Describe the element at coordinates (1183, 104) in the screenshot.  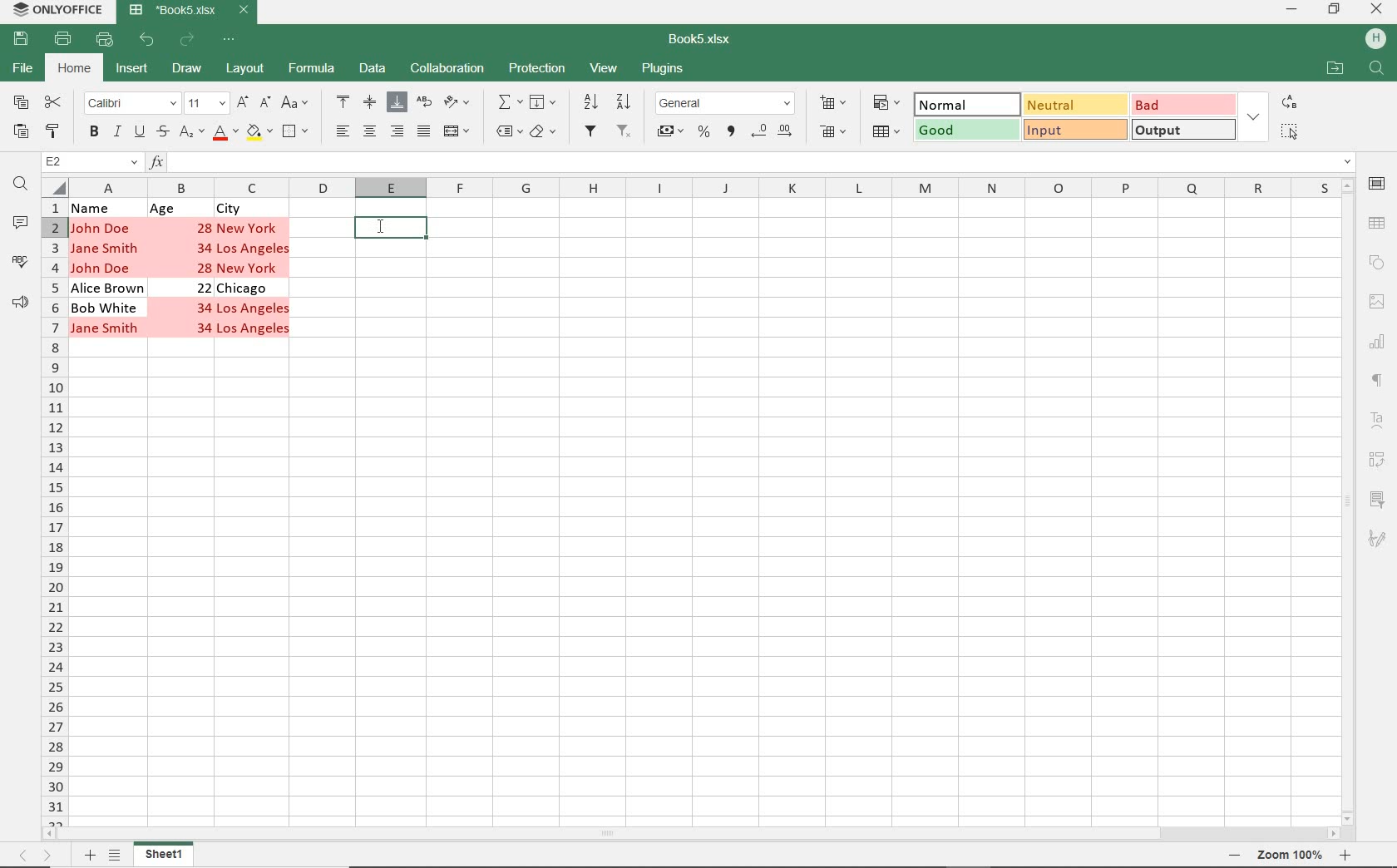
I see `BAD` at that location.